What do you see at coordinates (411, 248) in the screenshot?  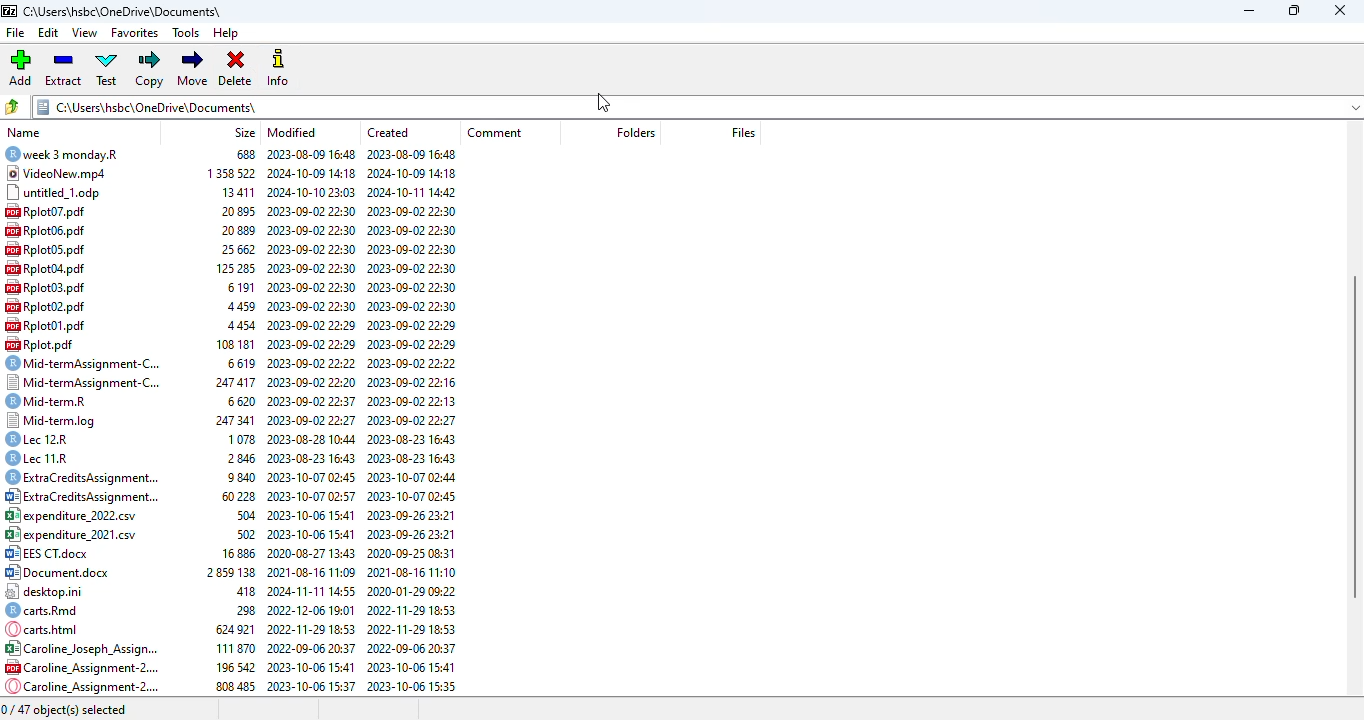 I see `2023-09-02 22:30` at bounding box center [411, 248].